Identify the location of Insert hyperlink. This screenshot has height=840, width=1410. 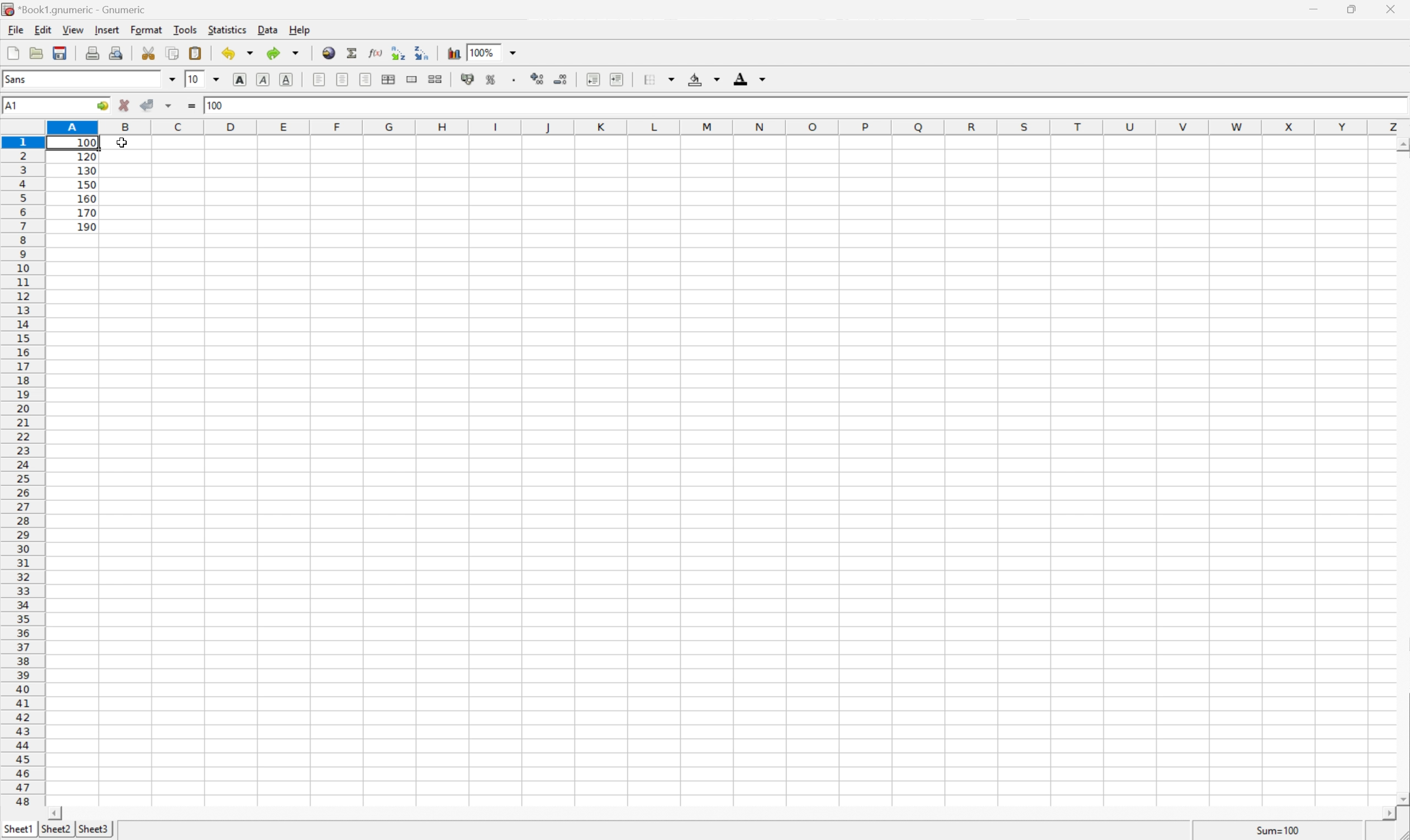
(327, 53).